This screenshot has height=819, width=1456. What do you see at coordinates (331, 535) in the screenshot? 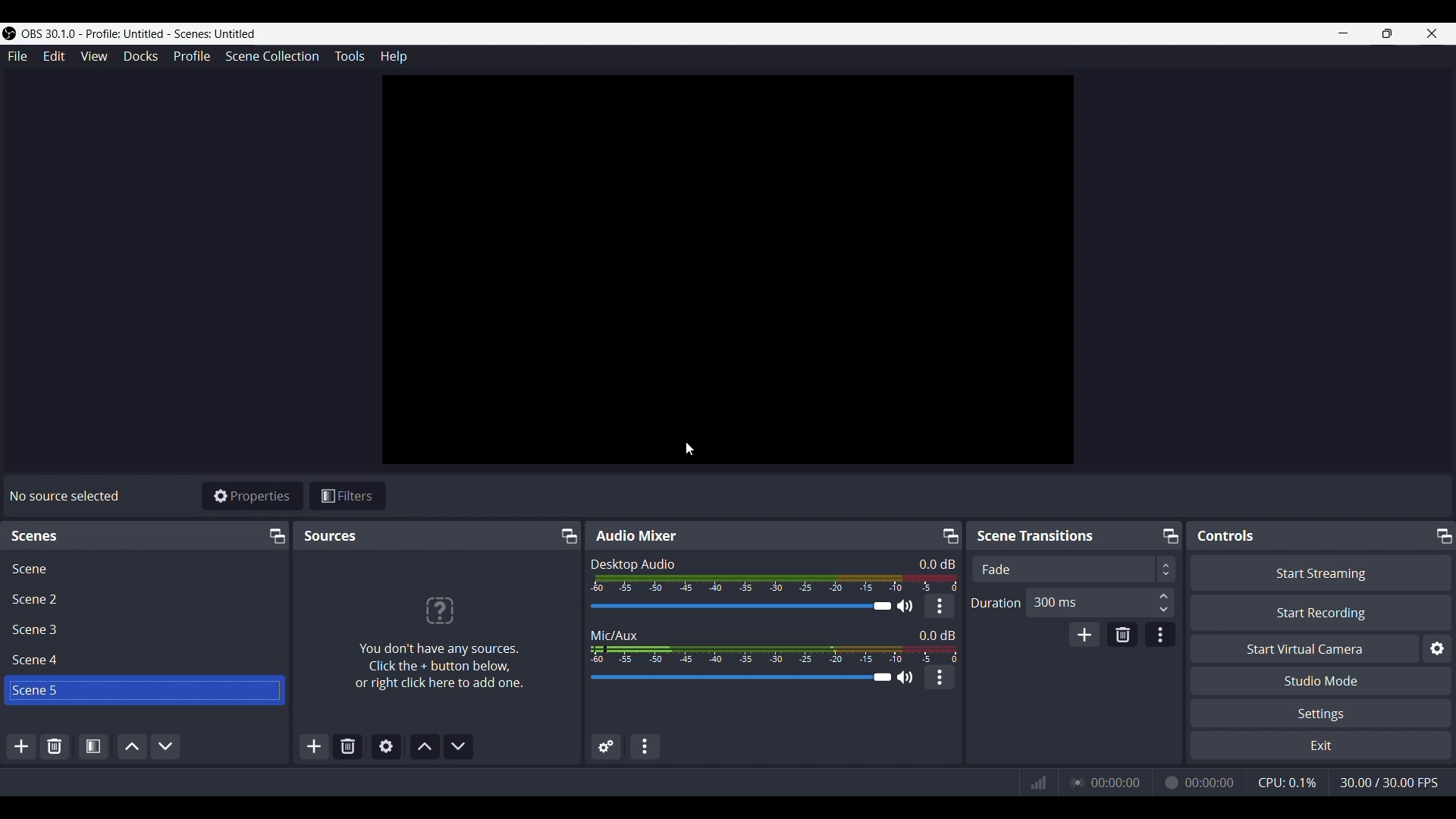
I see `Sources` at bounding box center [331, 535].